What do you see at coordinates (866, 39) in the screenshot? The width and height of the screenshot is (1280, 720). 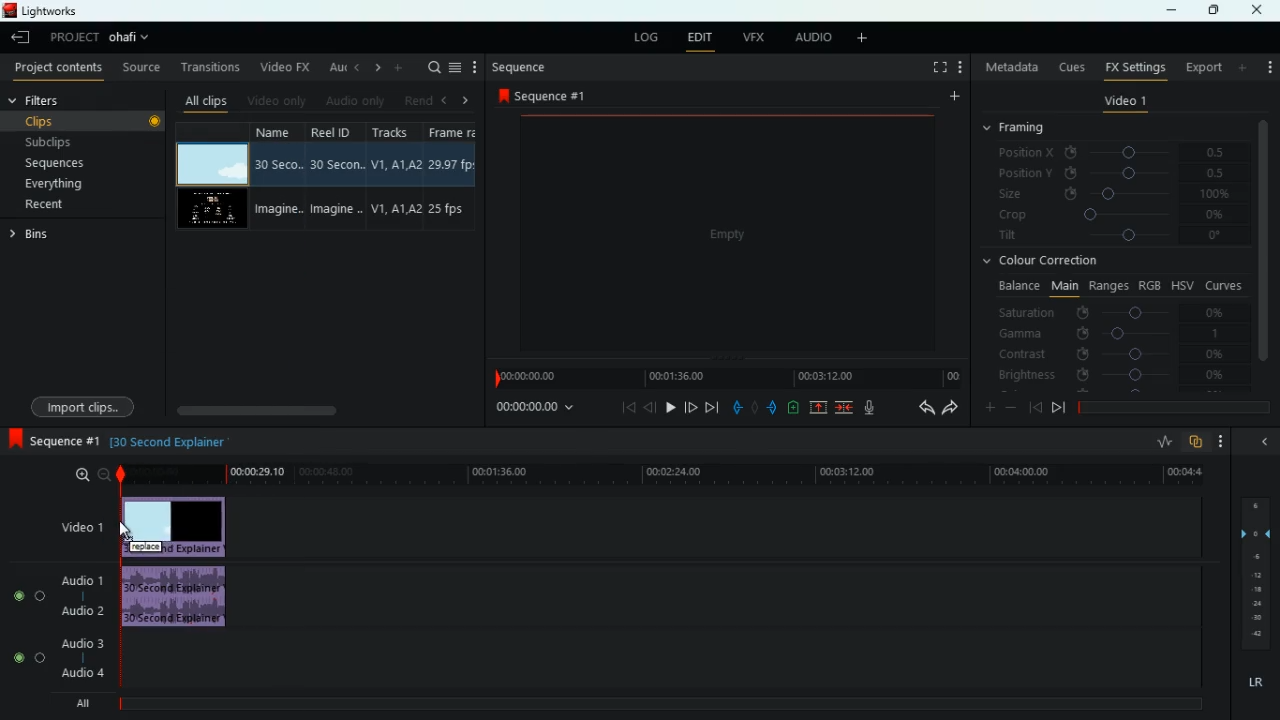 I see `more` at bounding box center [866, 39].